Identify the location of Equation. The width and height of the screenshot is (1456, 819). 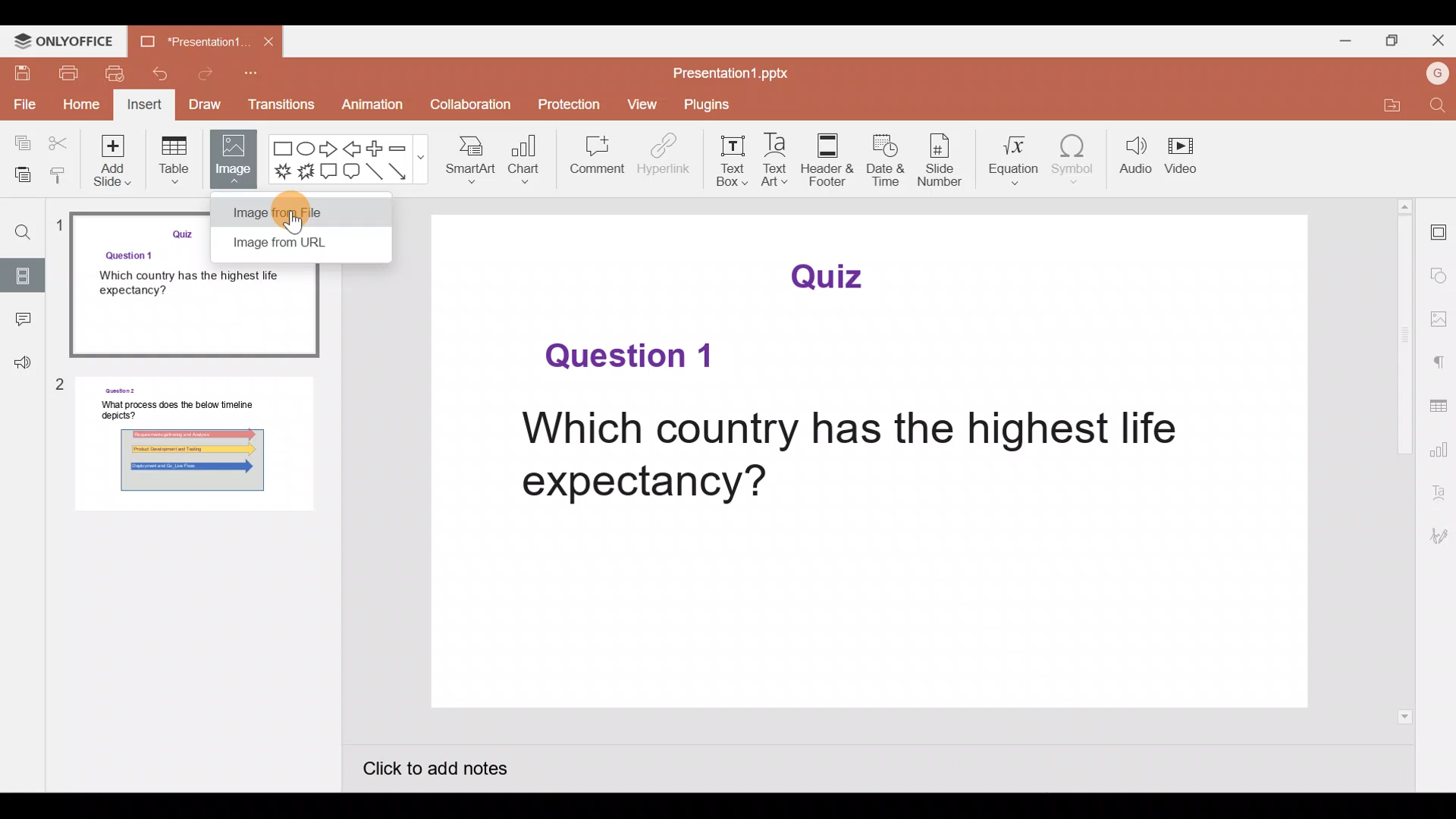
(1015, 160).